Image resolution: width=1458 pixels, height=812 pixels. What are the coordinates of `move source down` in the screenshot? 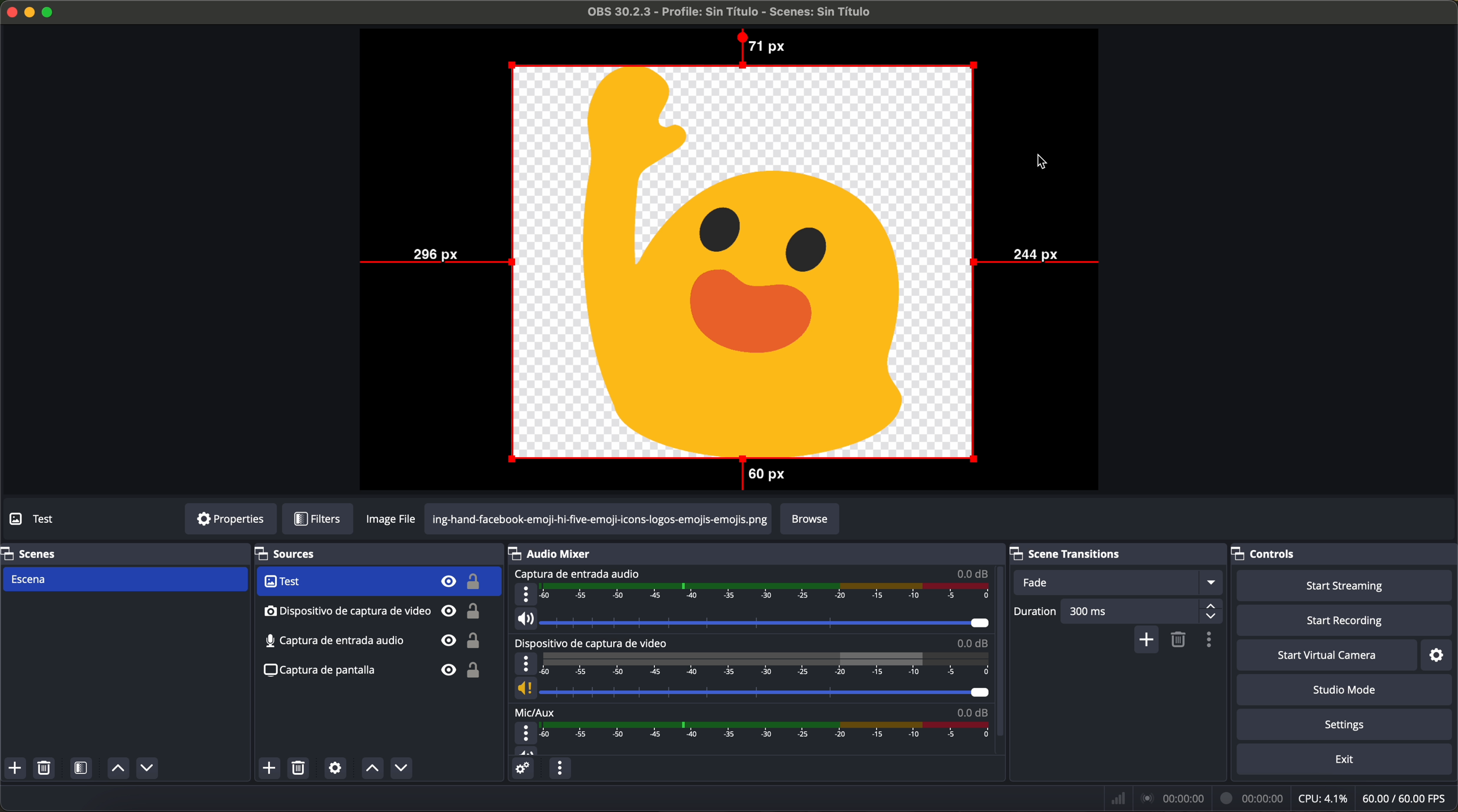 It's located at (398, 769).